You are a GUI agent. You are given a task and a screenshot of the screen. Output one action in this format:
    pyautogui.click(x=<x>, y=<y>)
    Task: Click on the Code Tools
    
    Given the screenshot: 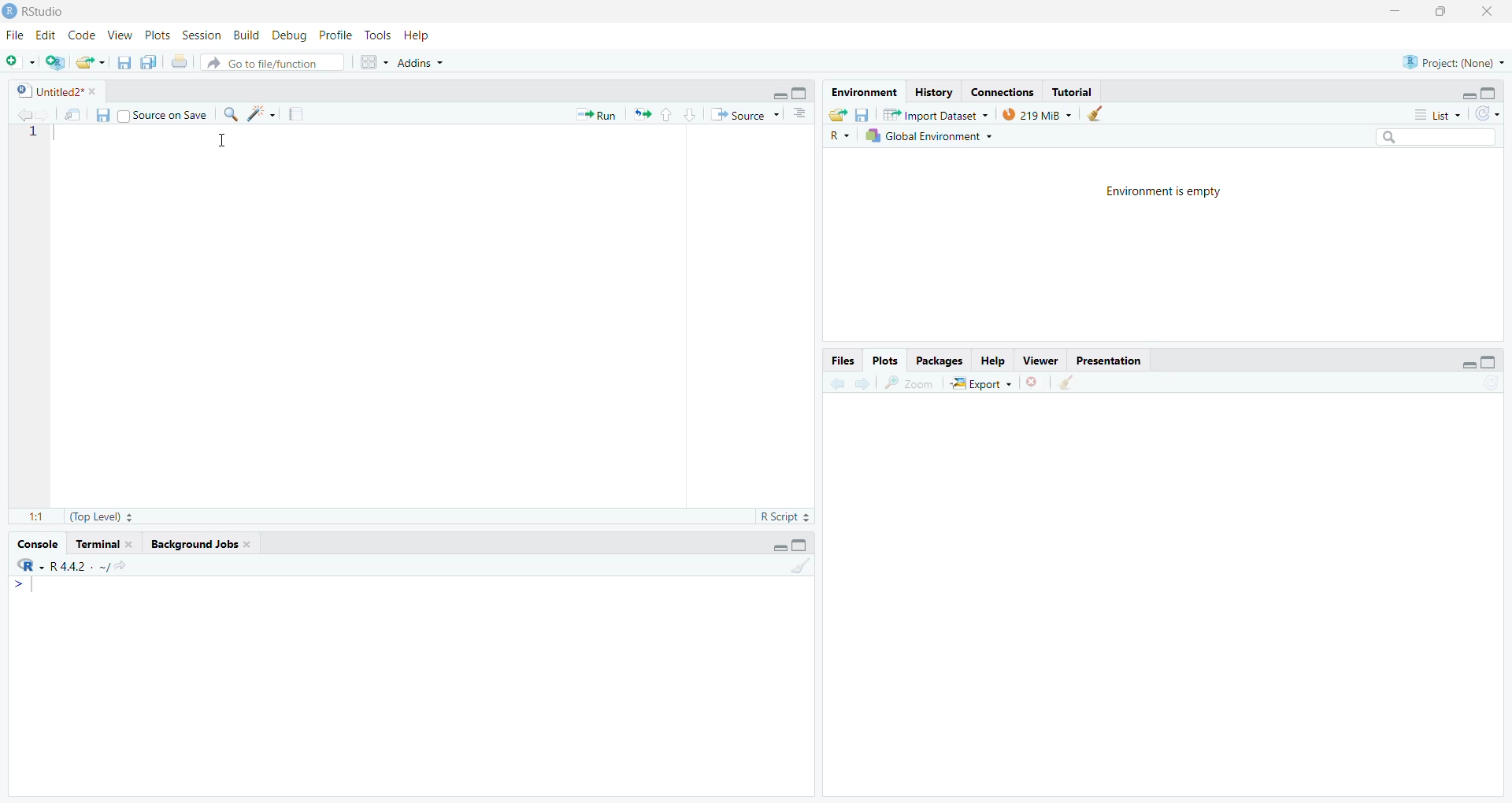 What is the action you would take?
    pyautogui.click(x=261, y=113)
    